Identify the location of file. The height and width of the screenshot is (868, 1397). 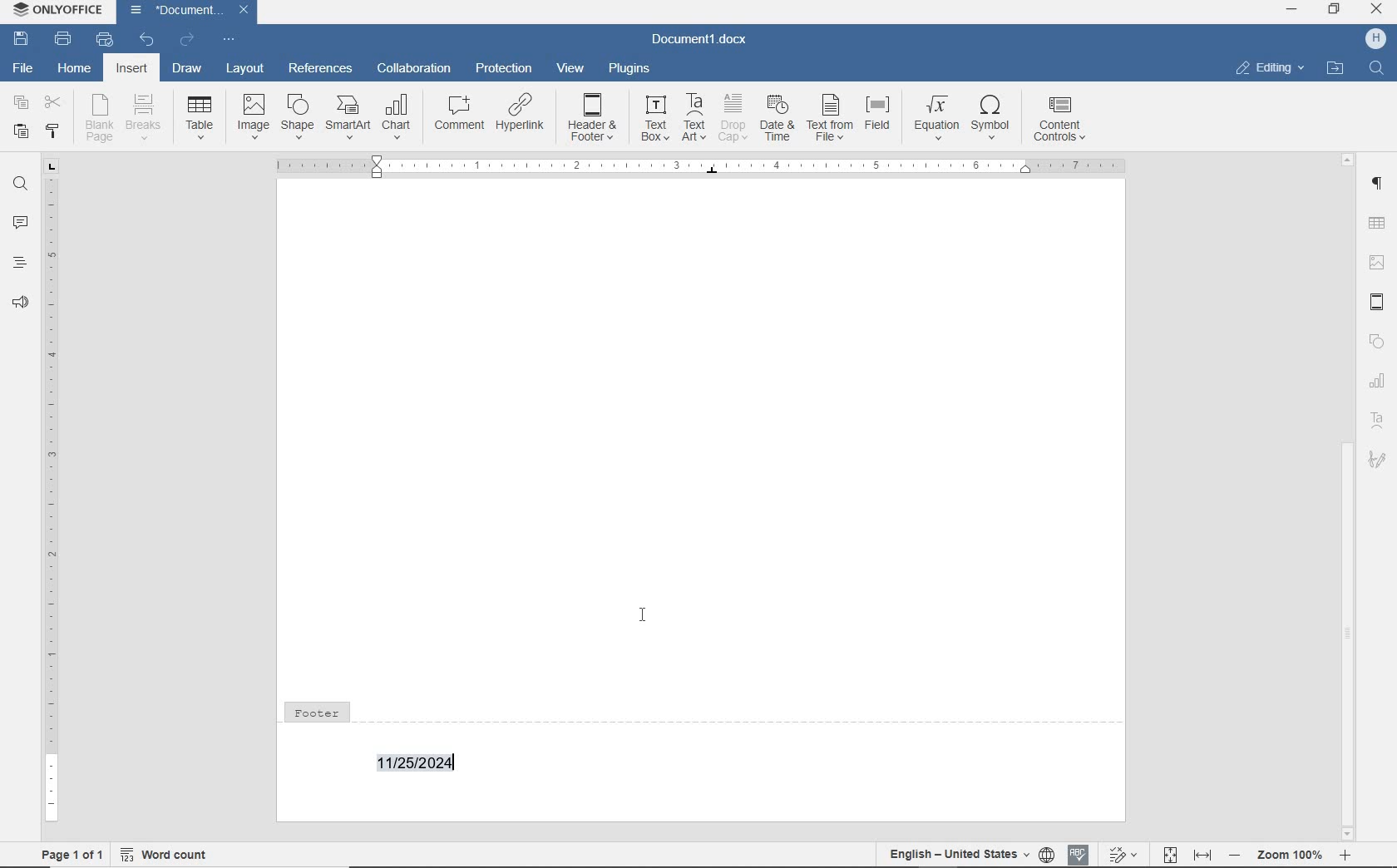
(24, 69).